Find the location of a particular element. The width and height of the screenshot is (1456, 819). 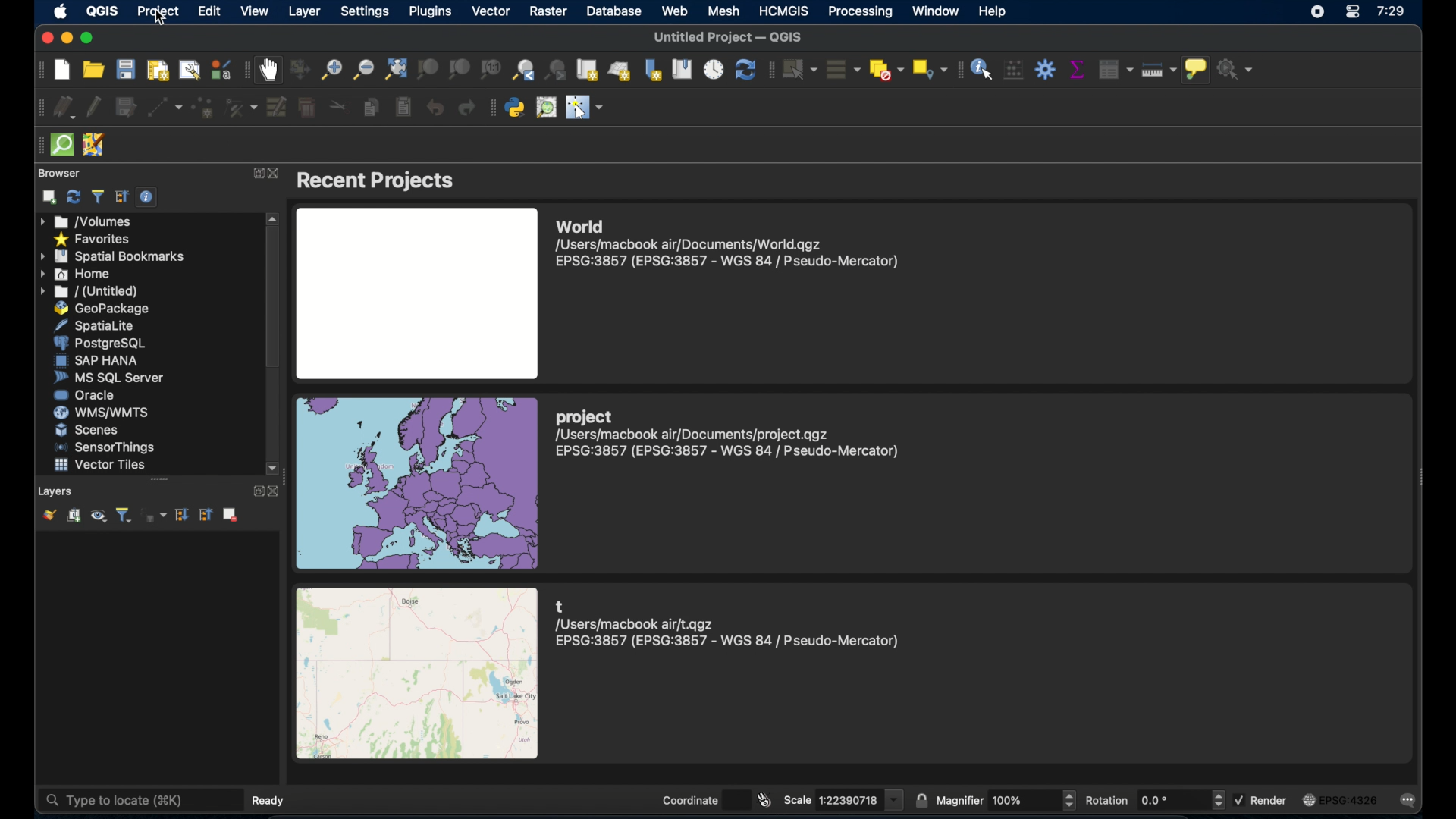

scroll down arrow is located at coordinates (275, 469).